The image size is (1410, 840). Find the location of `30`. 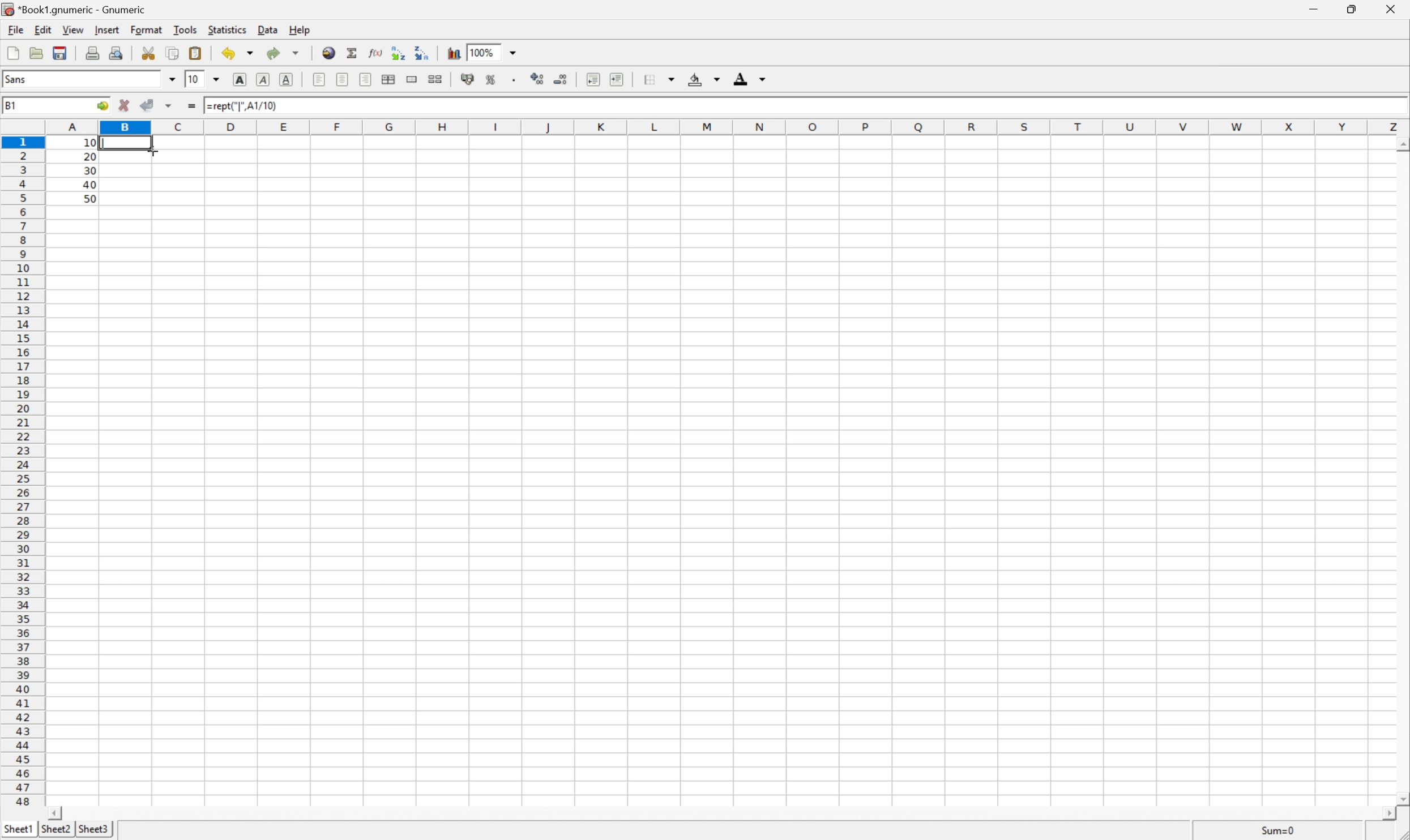

30 is located at coordinates (91, 170).